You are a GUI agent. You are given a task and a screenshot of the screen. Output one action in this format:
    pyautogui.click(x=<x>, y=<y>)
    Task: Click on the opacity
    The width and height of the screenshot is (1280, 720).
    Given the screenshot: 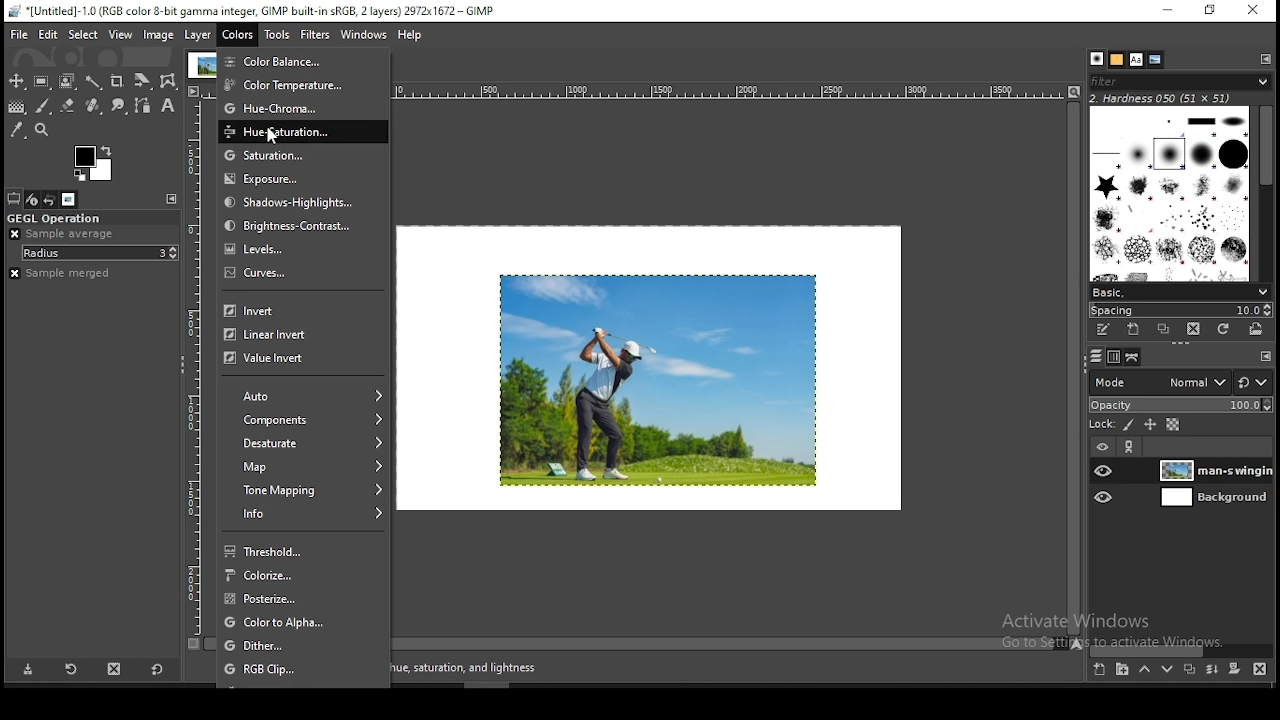 What is the action you would take?
    pyautogui.click(x=1184, y=405)
    